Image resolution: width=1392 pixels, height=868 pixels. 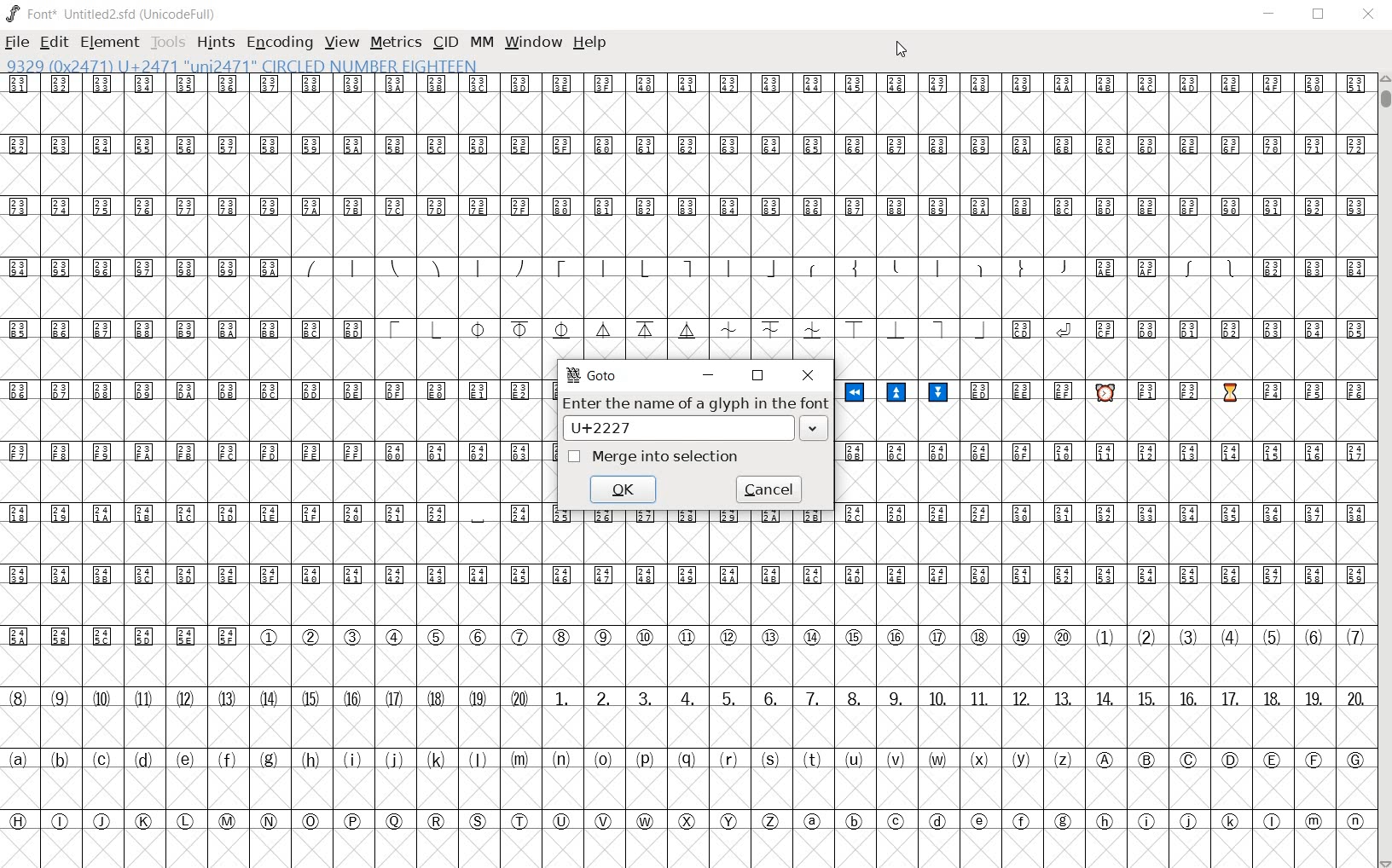 What do you see at coordinates (589, 43) in the screenshot?
I see `help` at bounding box center [589, 43].